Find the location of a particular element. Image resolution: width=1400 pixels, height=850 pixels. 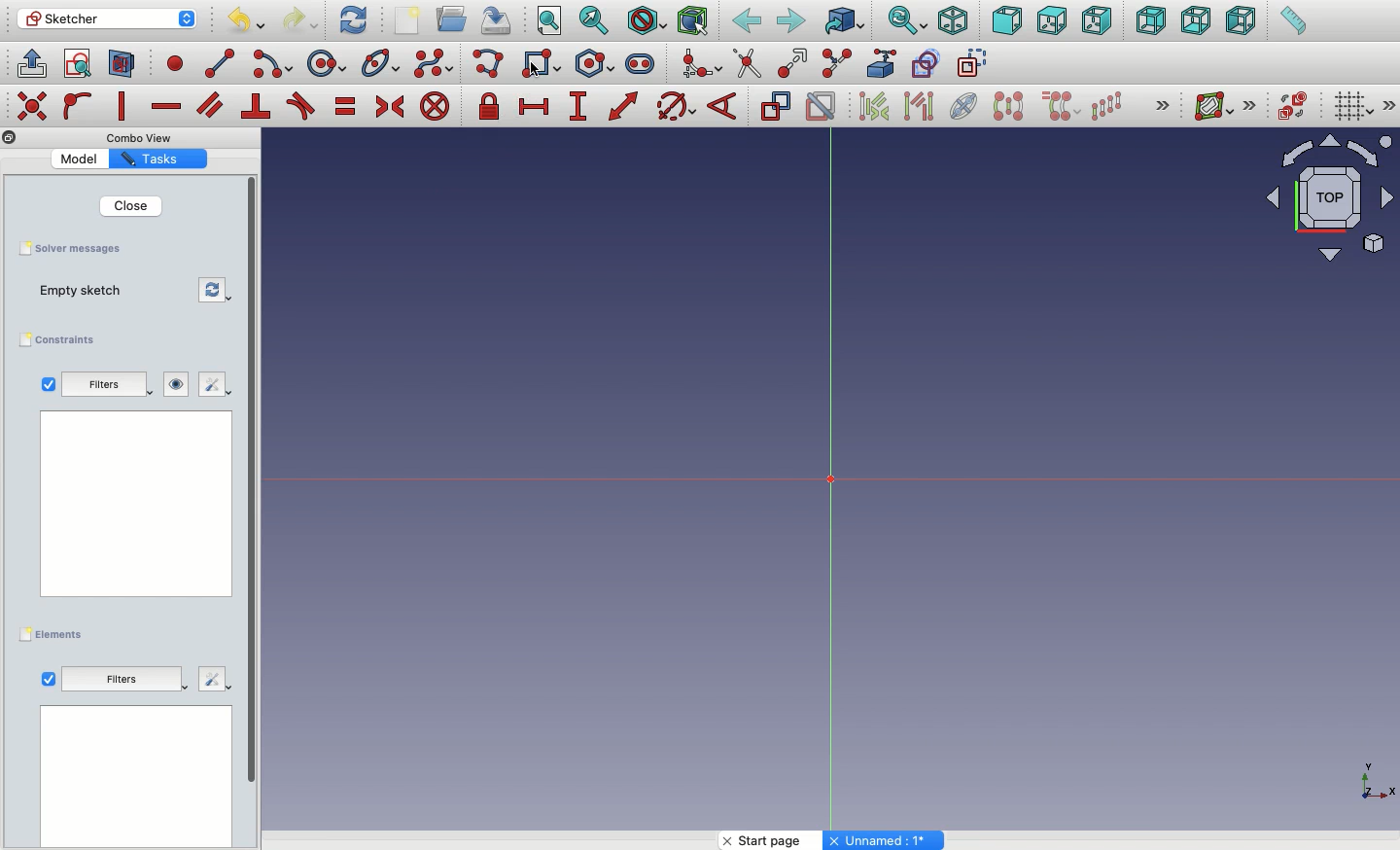

Trim edge is located at coordinates (748, 63).